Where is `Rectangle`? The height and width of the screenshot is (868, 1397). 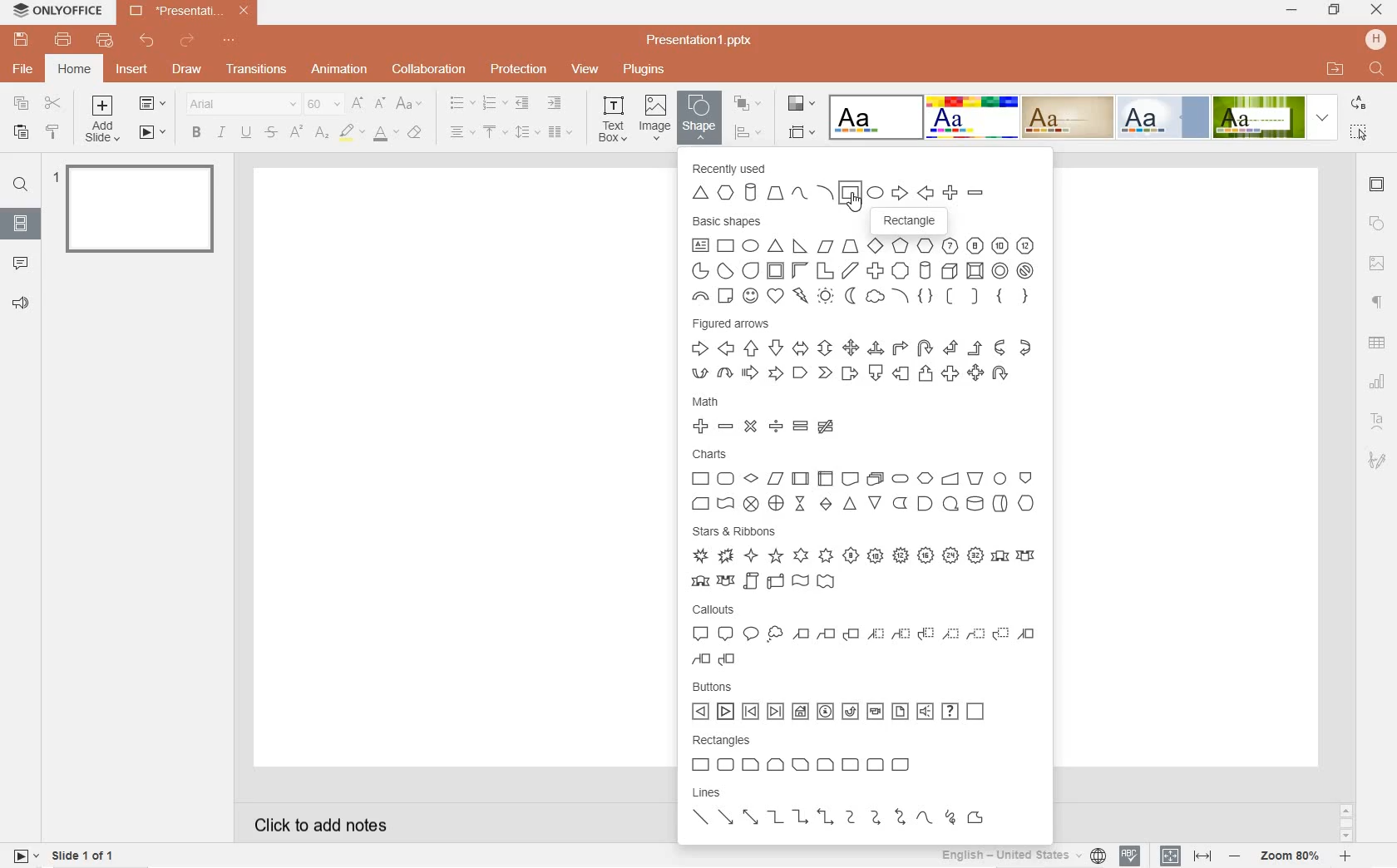 Rectangle is located at coordinates (909, 219).